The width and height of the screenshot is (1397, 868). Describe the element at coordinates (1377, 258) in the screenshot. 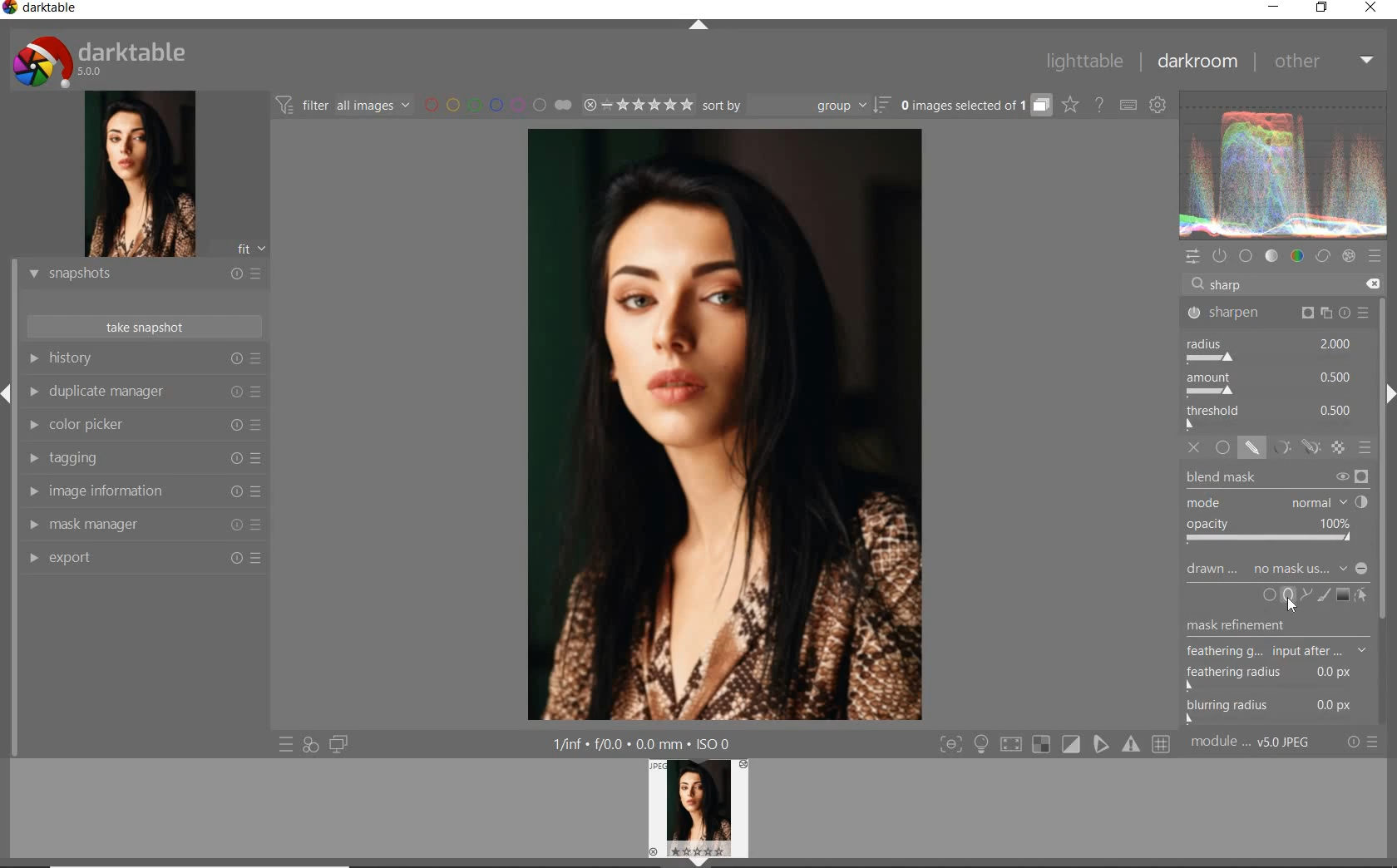

I see `presets` at that location.